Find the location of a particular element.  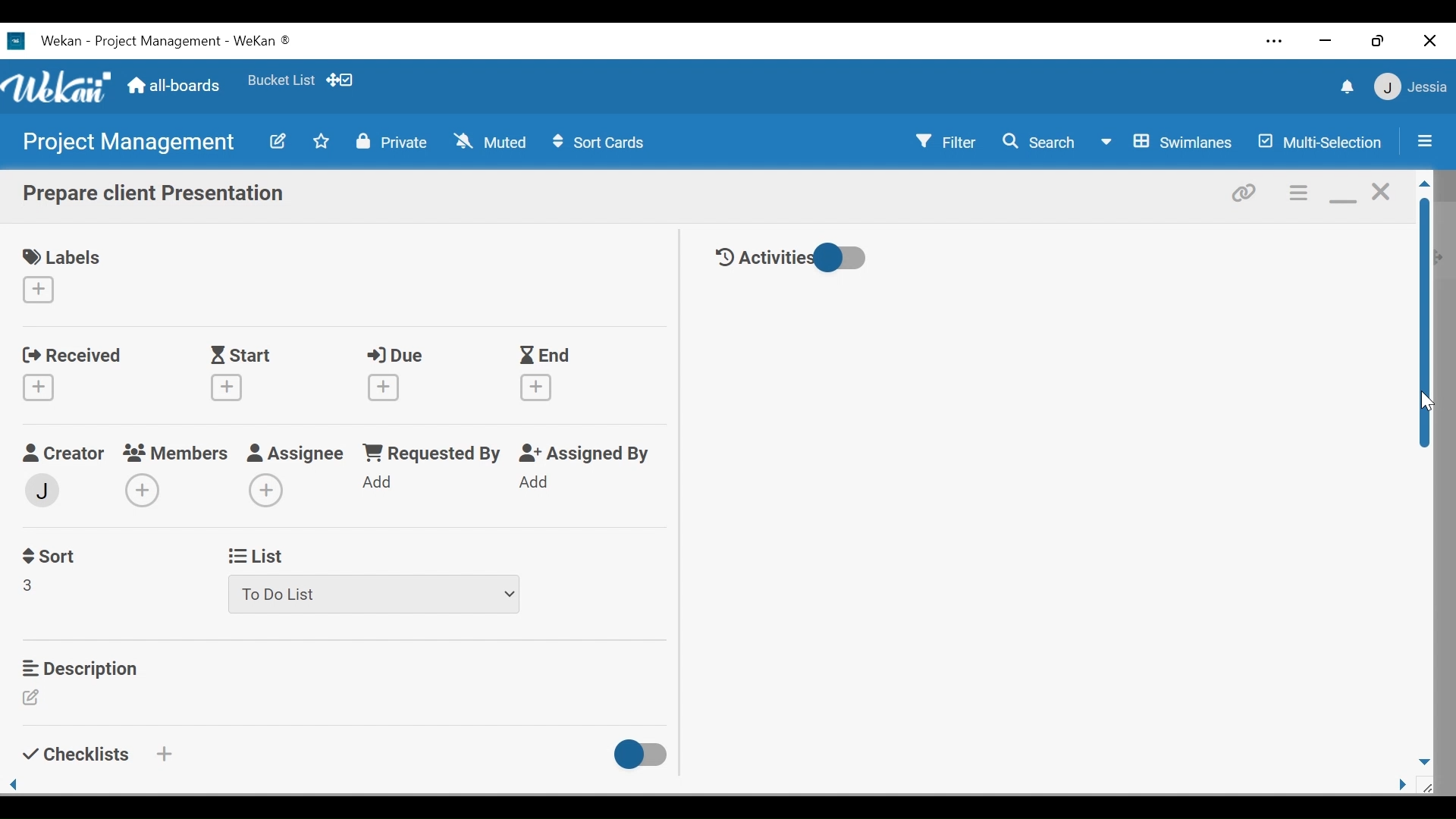

member is located at coordinates (44, 490).